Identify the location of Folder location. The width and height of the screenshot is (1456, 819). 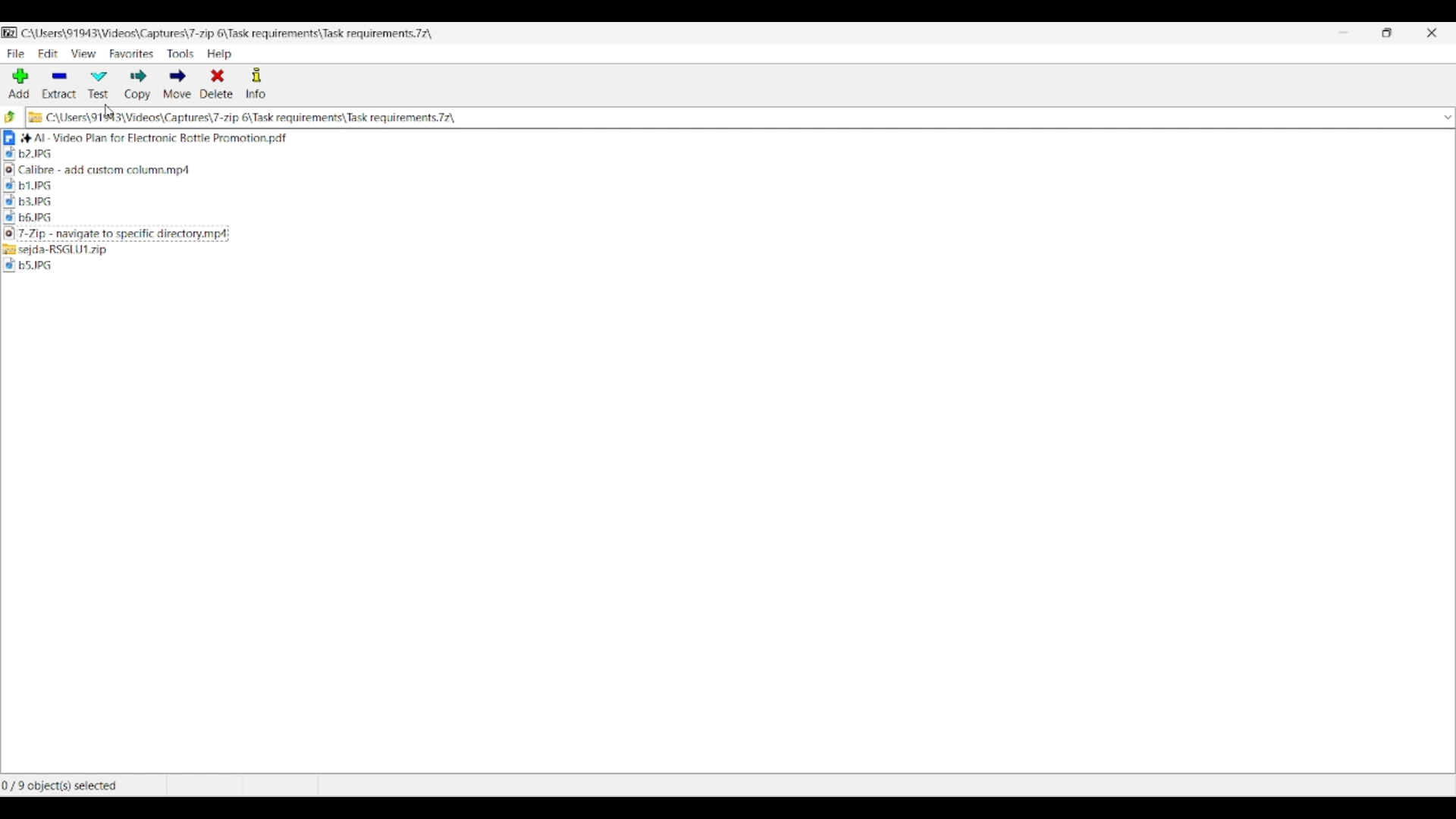
(227, 33).